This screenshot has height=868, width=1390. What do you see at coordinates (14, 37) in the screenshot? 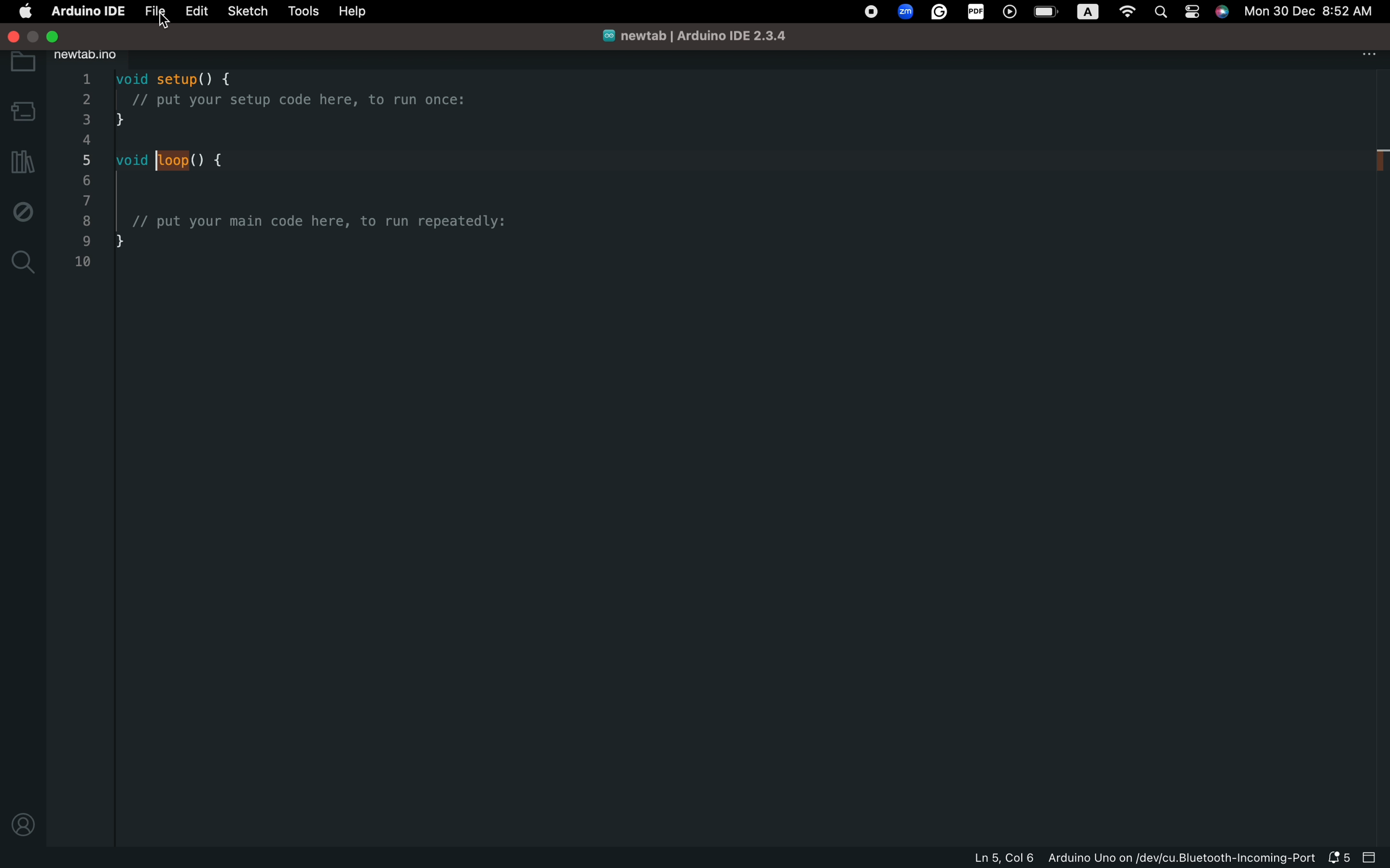
I see `close` at bounding box center [14, 37].